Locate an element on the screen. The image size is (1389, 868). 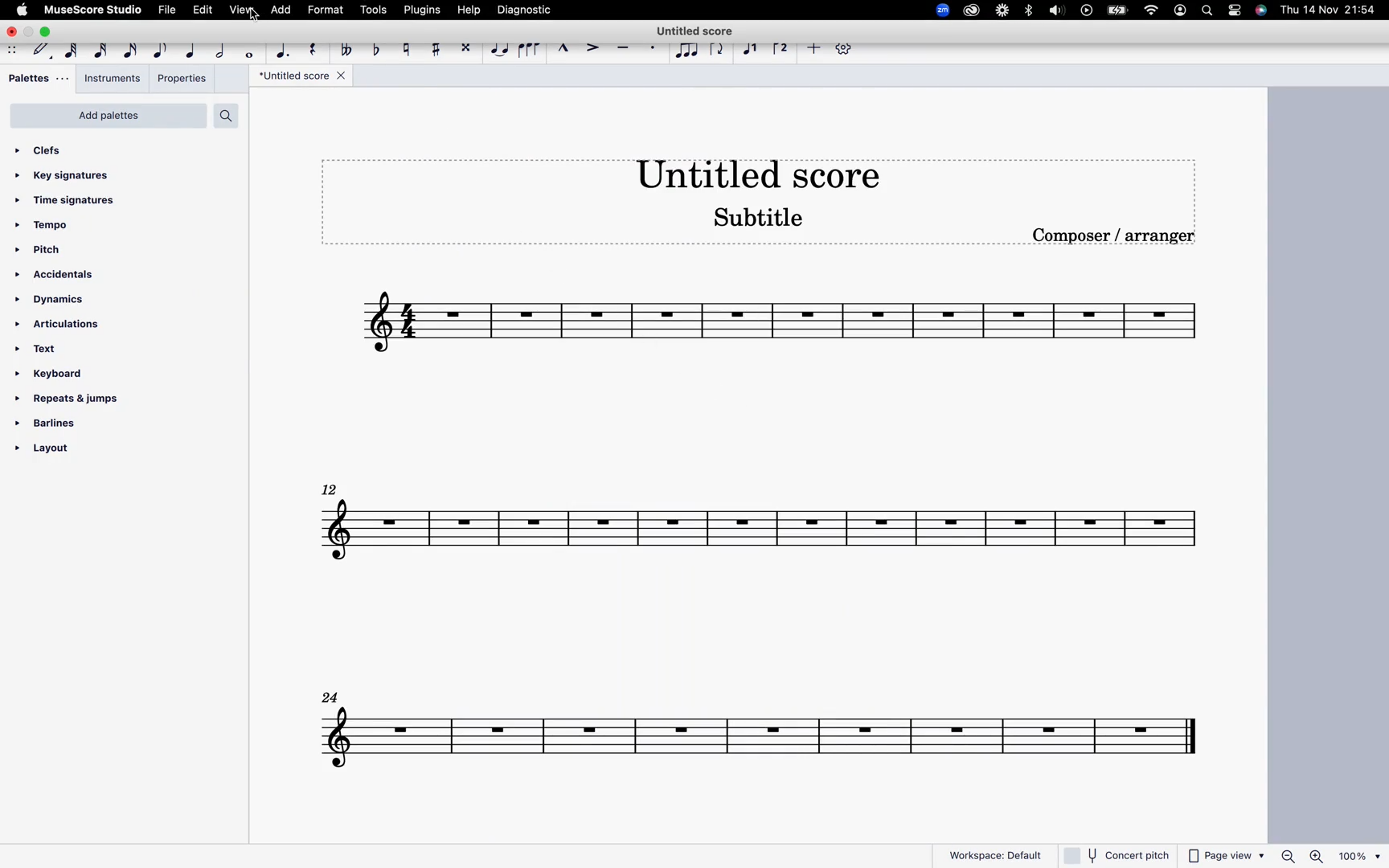
score is located at coordinates (758, 522).